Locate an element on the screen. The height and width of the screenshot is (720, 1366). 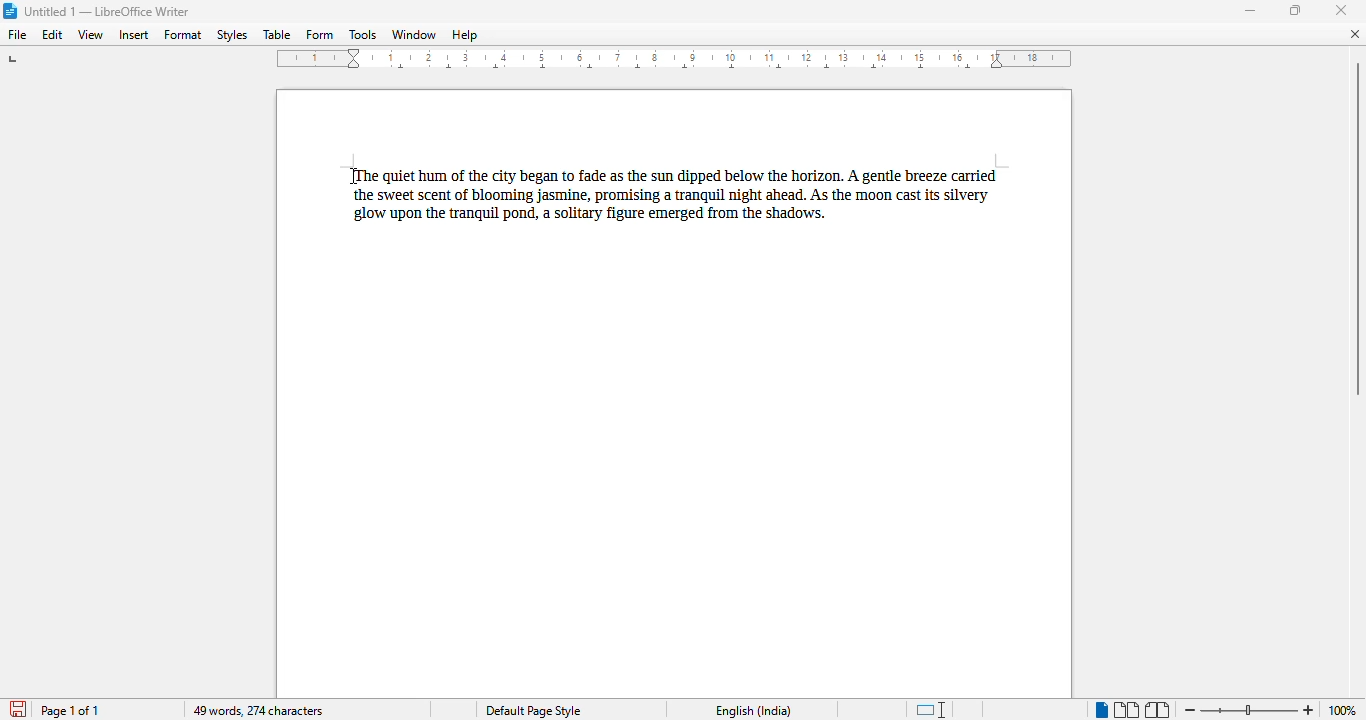
table is located at coordinates (277, 34).